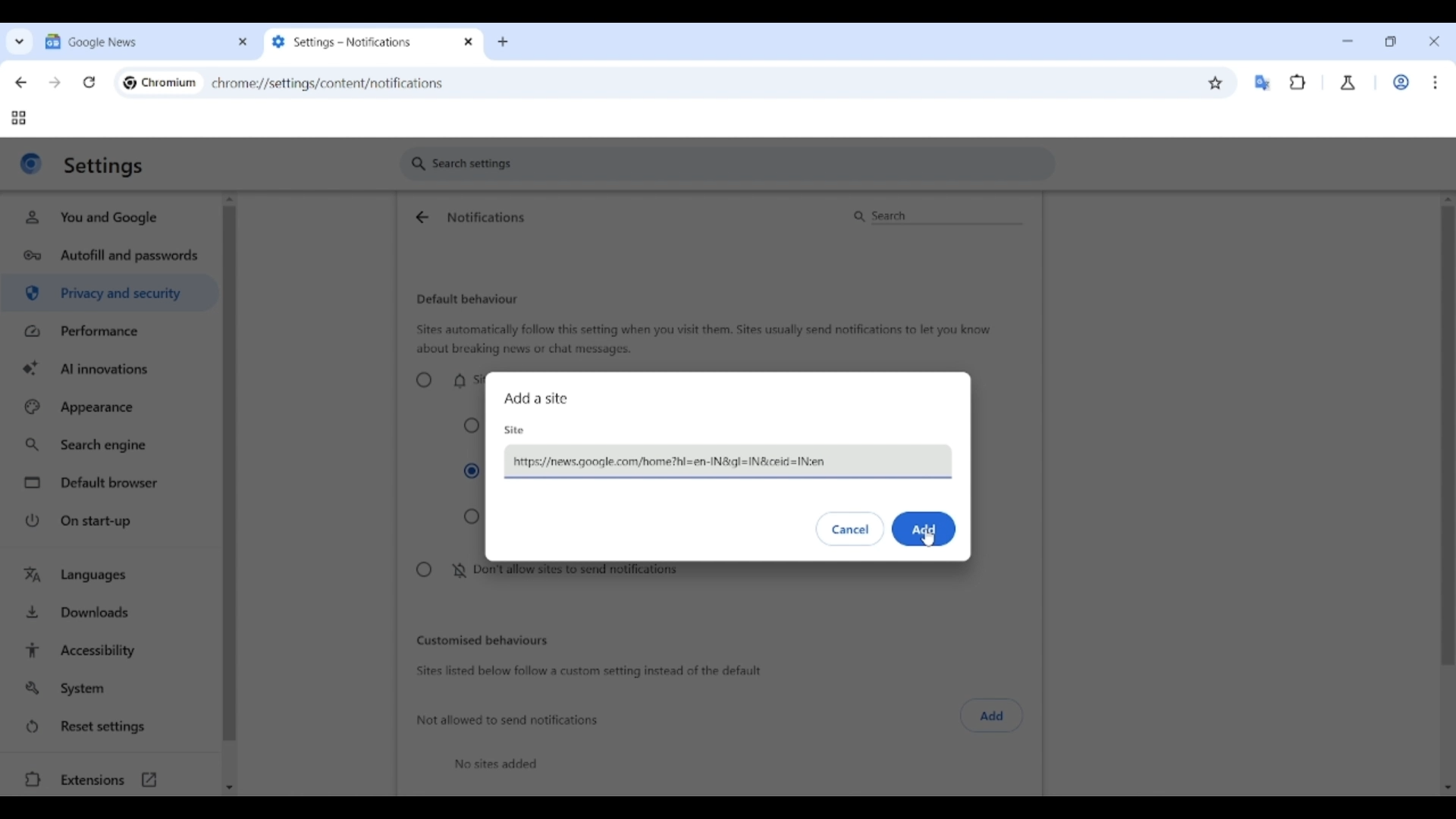  I want to click on System, so click(109, 689).